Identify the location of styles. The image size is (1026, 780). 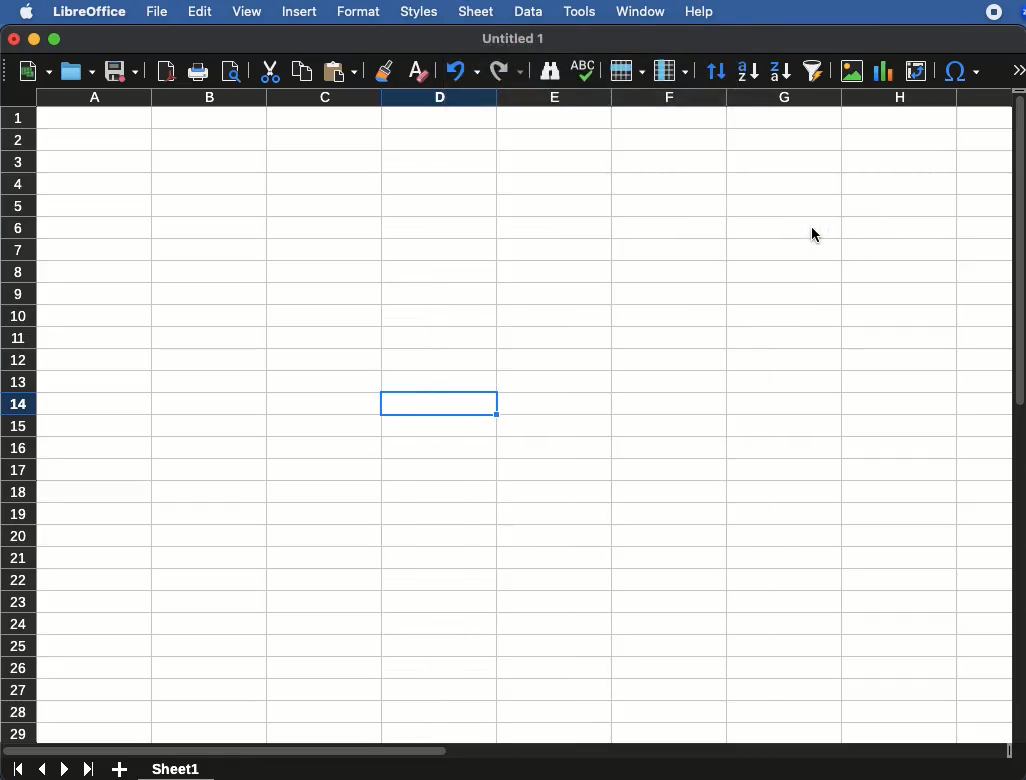
(420, 11).